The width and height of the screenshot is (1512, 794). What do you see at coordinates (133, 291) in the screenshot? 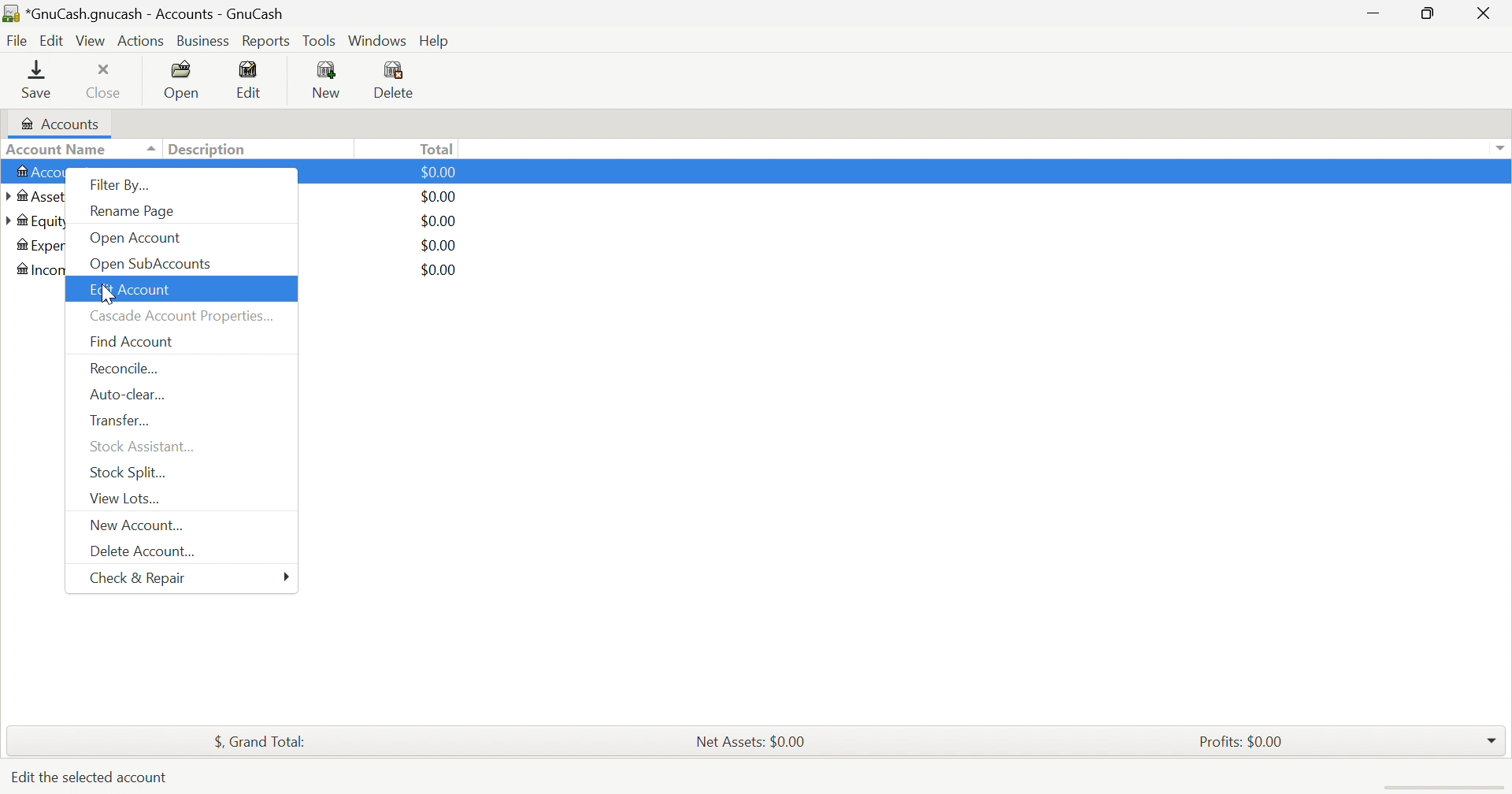
I see `Edit Account` at bounding box center [133, 291].